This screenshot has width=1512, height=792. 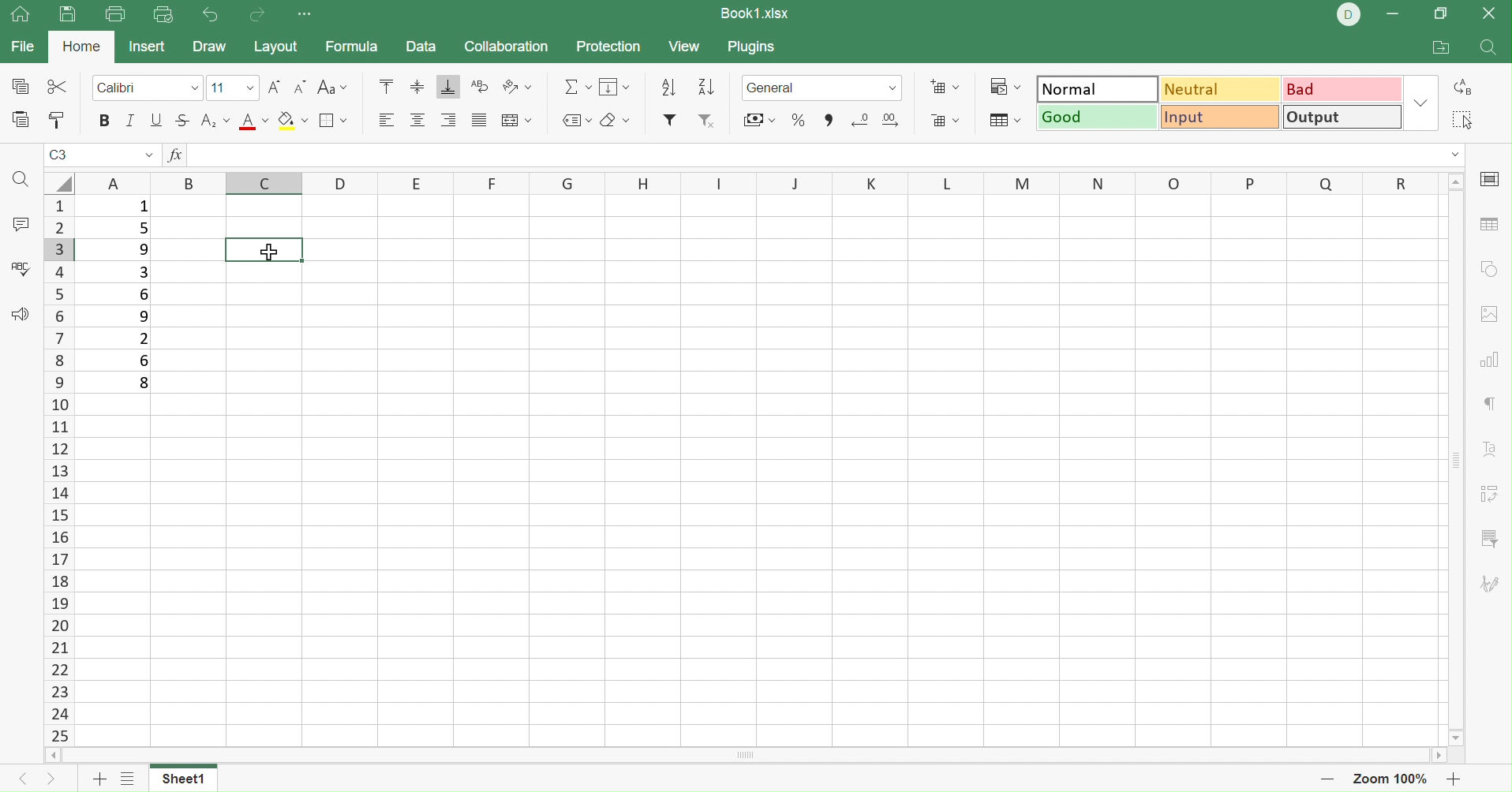 What do you see at coordinates (670, 119) in the screenshot?
I see `Filter` at bounding box center [670, 119].